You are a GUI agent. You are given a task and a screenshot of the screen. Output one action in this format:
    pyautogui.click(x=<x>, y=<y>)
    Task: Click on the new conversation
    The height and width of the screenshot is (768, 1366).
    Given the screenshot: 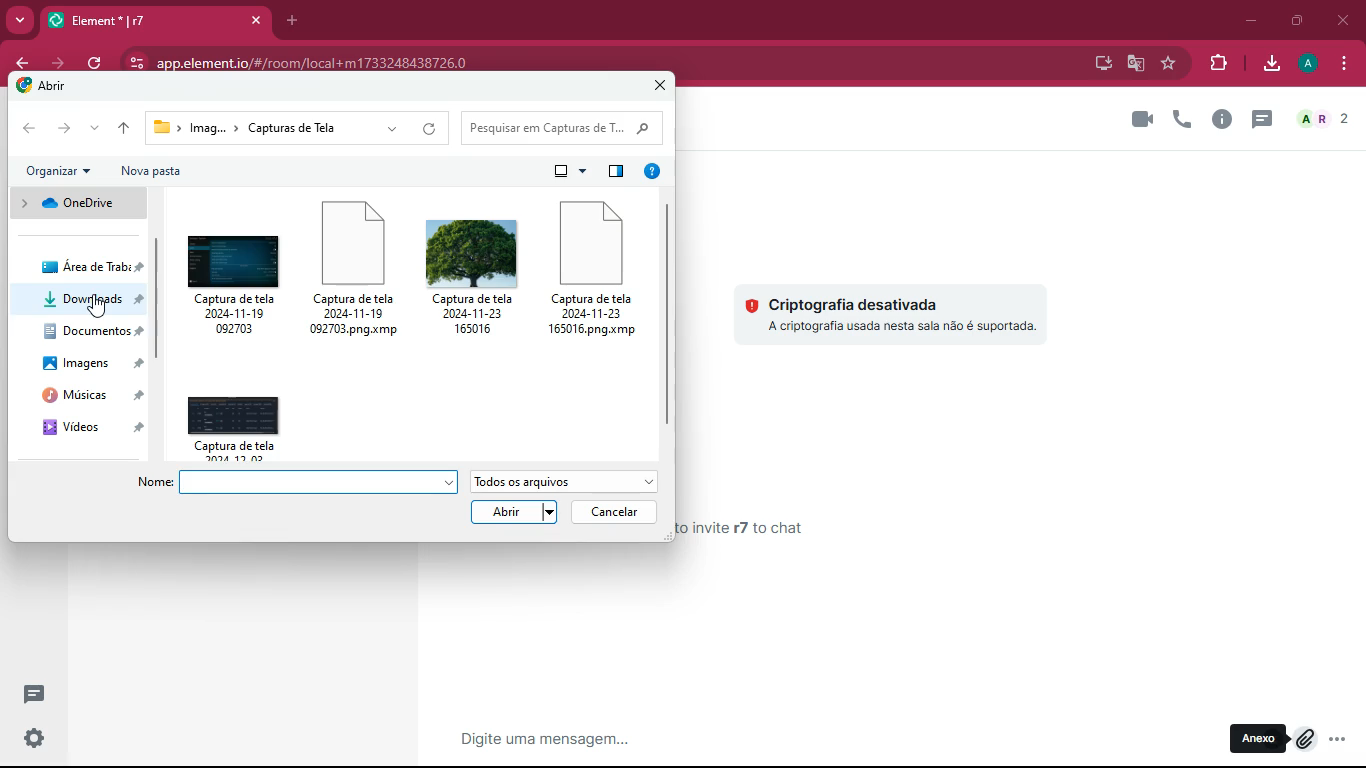 What is the action you would take?
    pyautogui.click(x=37, y=696)
    